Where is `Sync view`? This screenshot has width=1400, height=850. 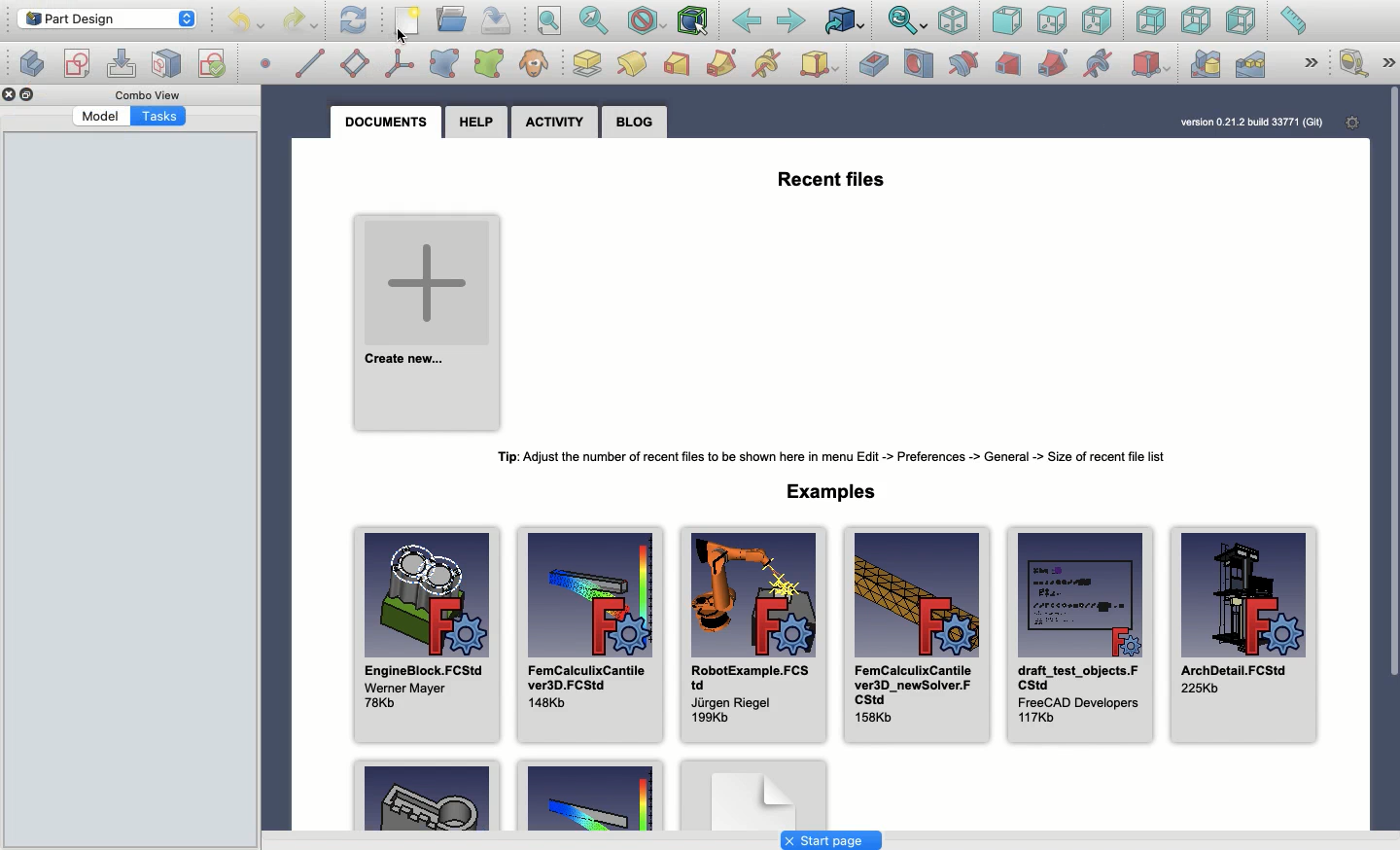 Sync view is located at coordinates (906, 21).